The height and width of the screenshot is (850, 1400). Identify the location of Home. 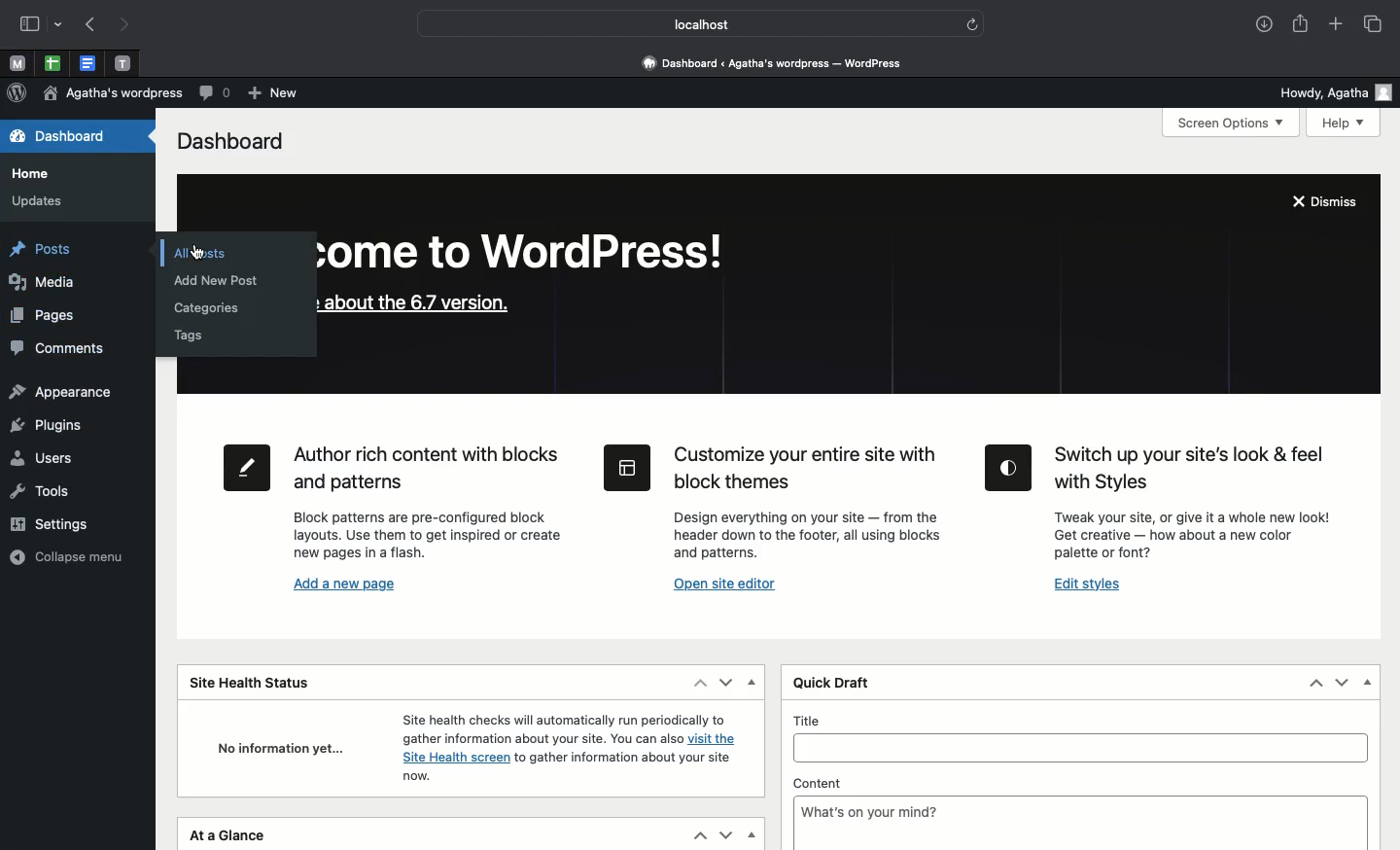
(30, 175).